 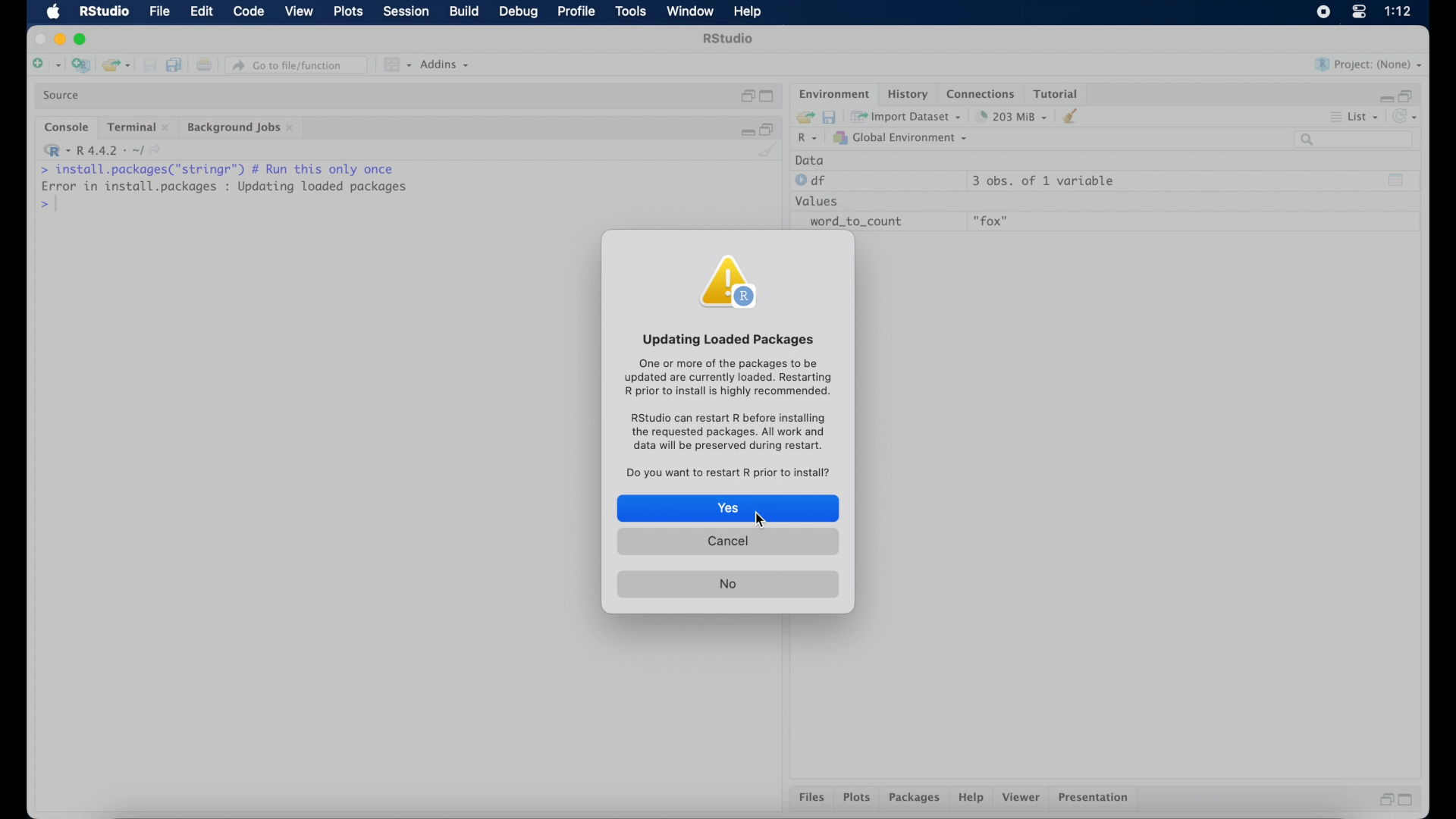 I want to click on restore down, so click(x=746, y=96).